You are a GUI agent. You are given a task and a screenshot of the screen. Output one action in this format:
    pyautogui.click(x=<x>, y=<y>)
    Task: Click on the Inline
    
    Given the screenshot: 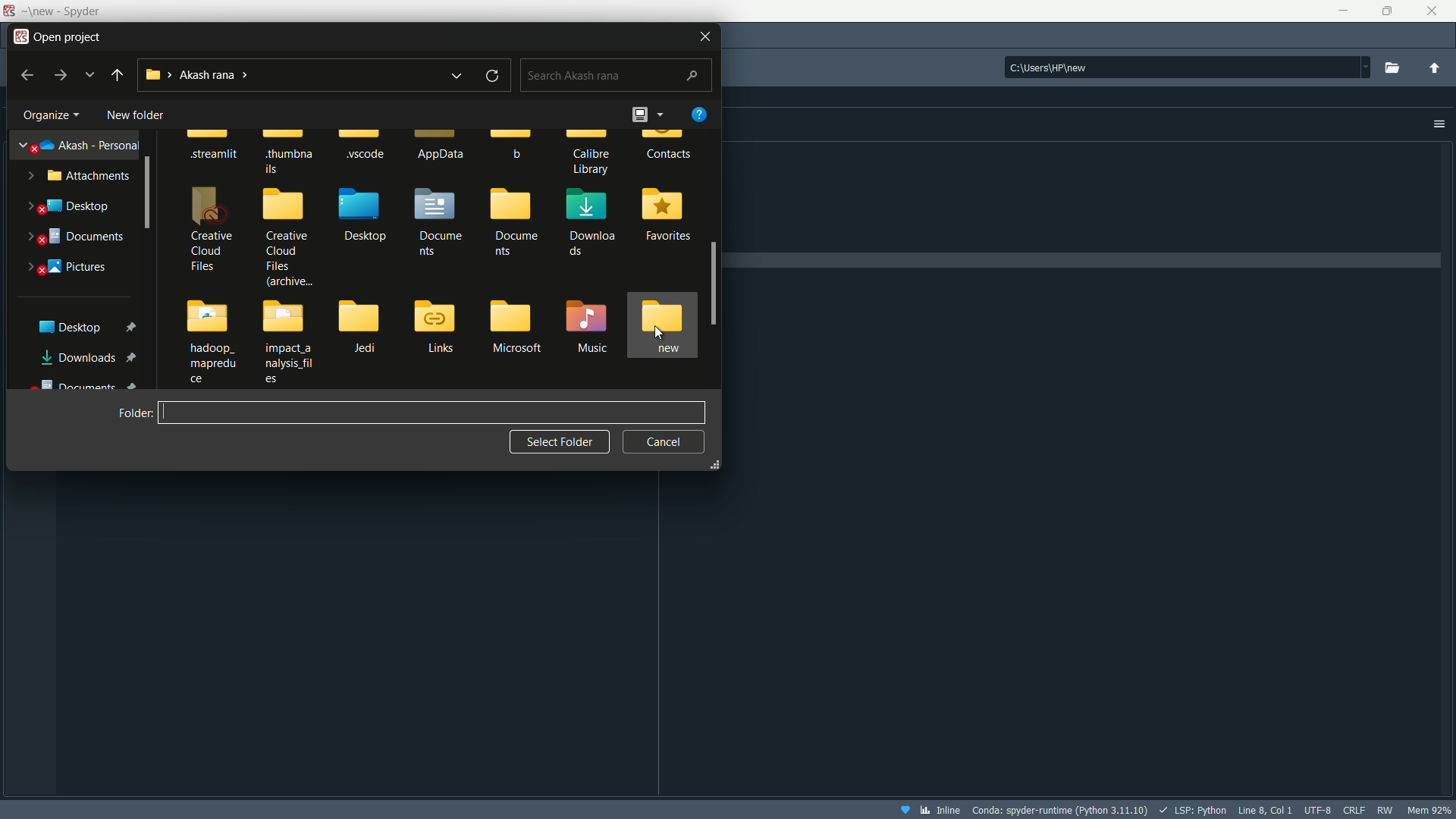 What is the action you would take?
    pyautogui.click(x=930, y=809)
    